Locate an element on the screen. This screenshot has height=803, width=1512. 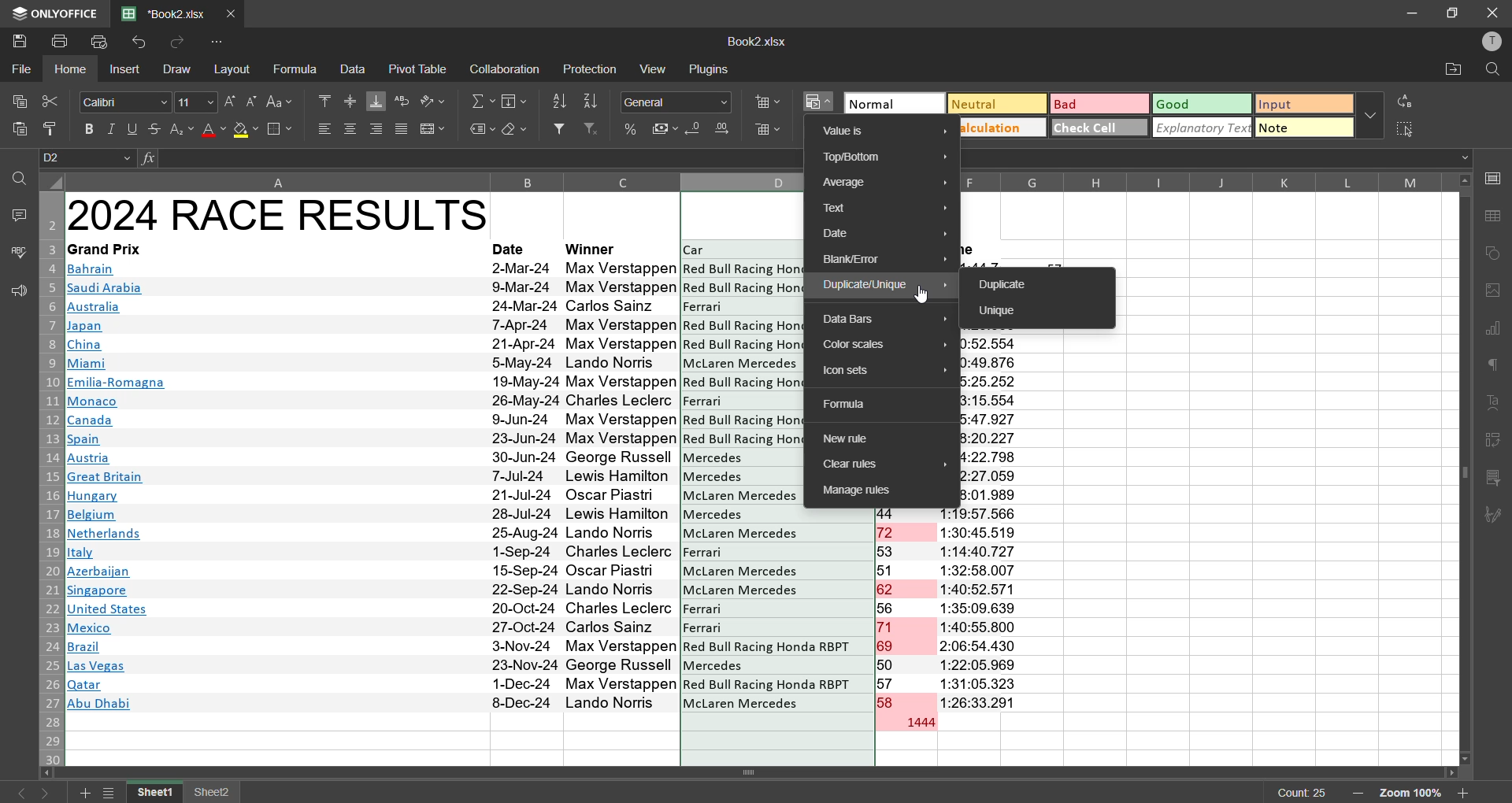
date is located at coordinates (512, 249).